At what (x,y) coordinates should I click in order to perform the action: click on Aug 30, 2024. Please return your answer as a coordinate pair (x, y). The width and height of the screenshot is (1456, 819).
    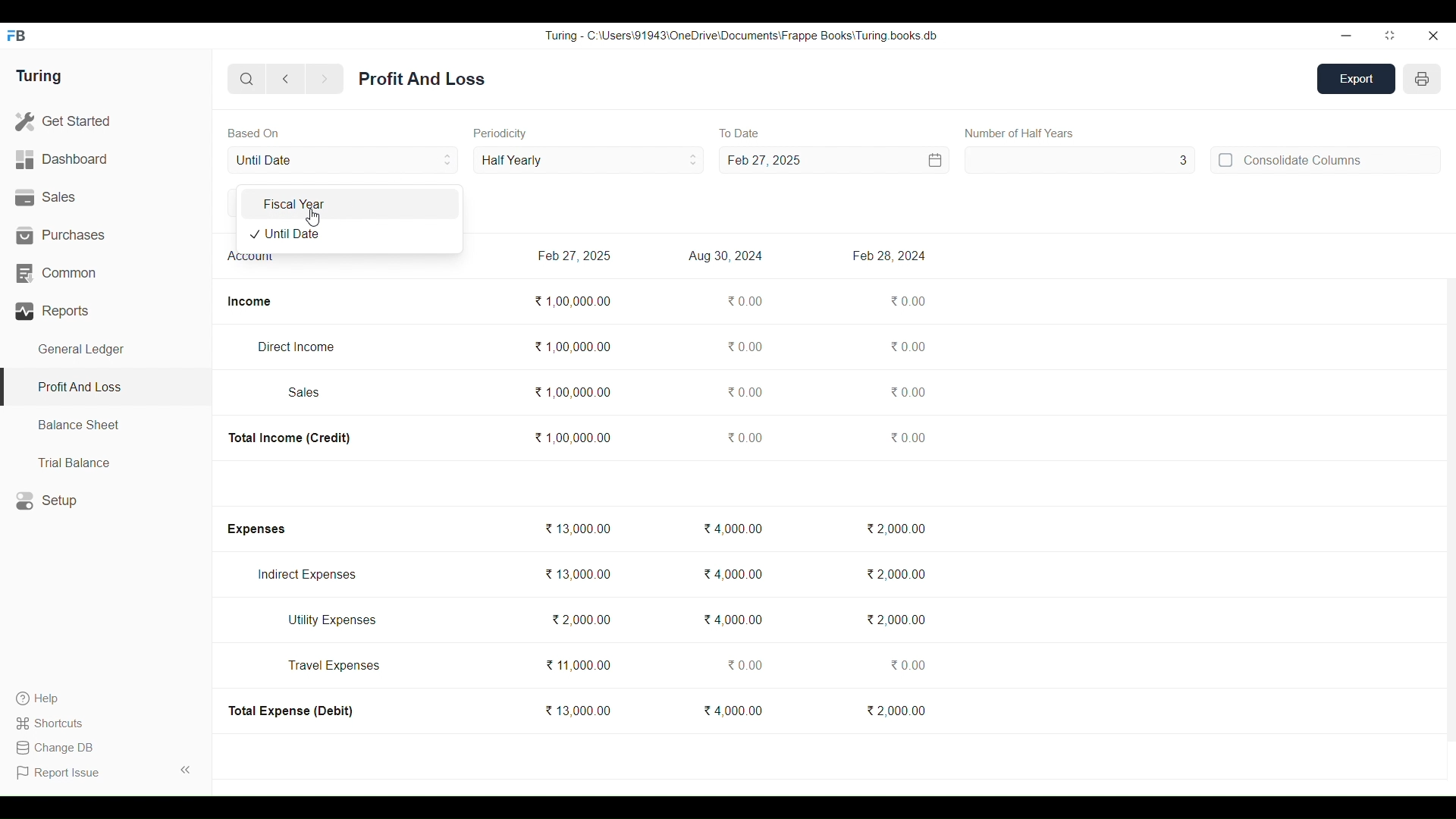
    Looking at the image, I should click on (726, 256).